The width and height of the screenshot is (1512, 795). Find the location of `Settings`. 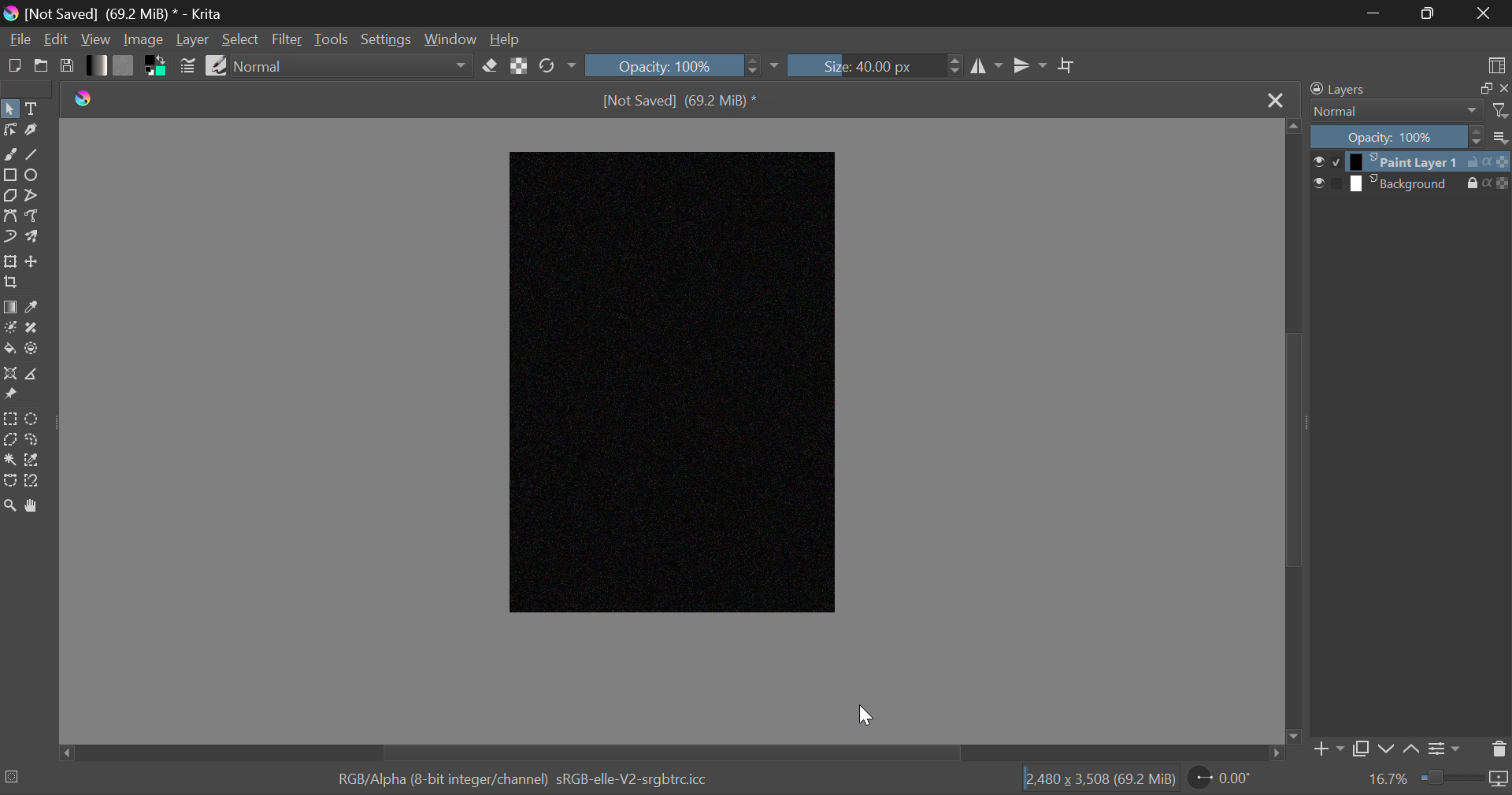

Settings is located at coordinates (1443, 748).